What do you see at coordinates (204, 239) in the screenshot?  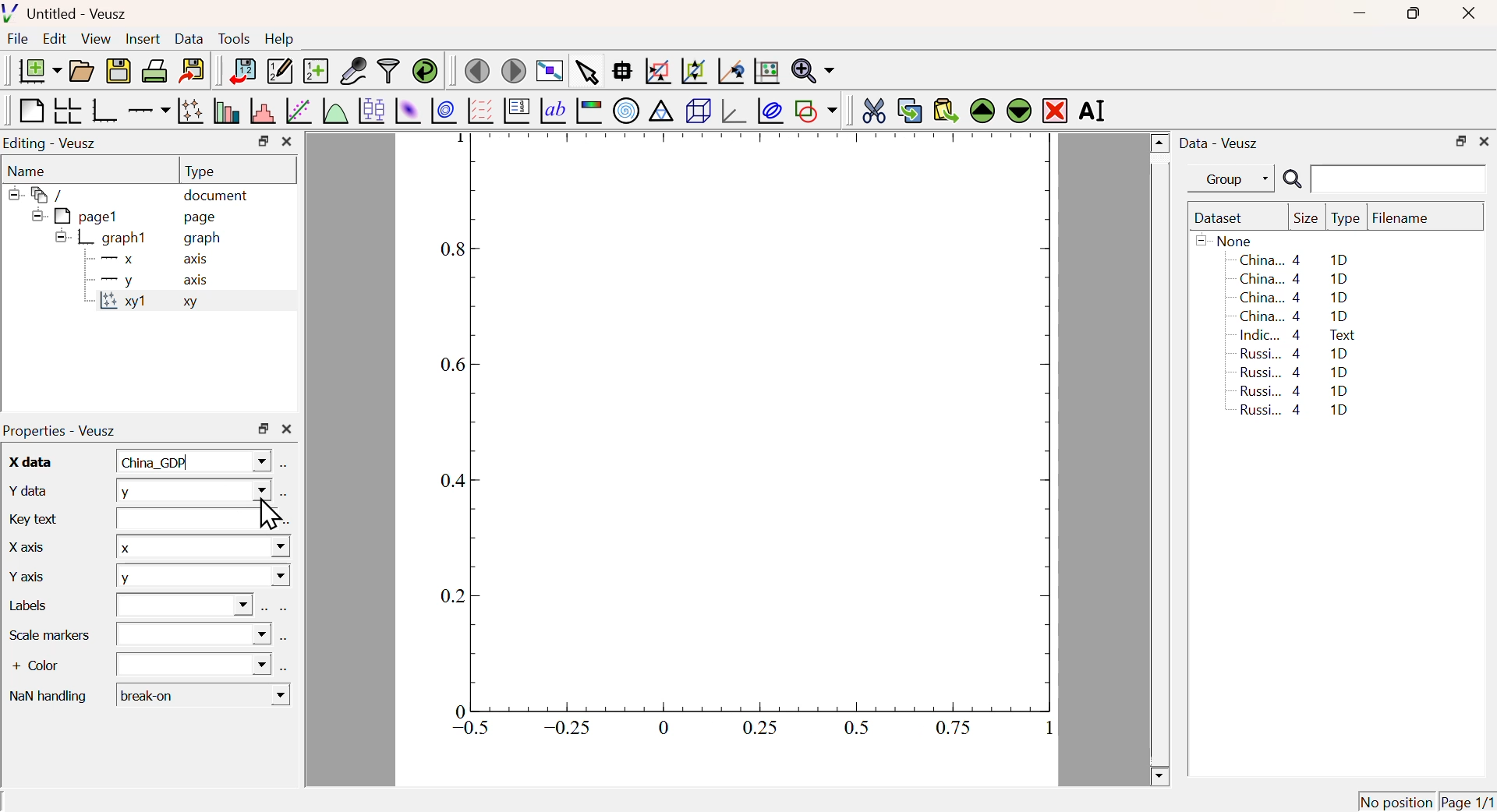 I see `graph` at bounding box center [204, 239].